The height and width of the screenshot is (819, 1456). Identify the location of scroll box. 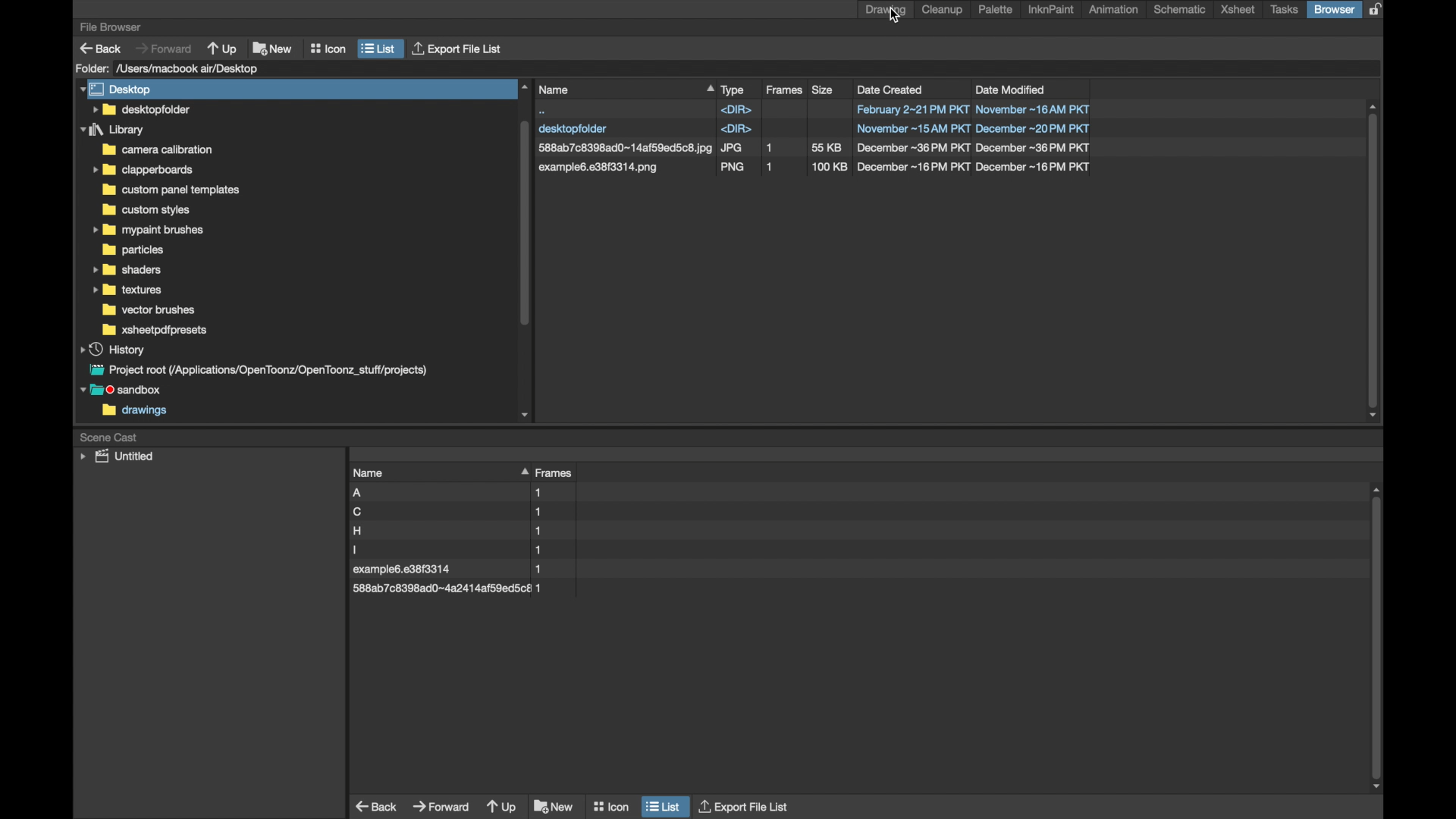
(1374, 262).